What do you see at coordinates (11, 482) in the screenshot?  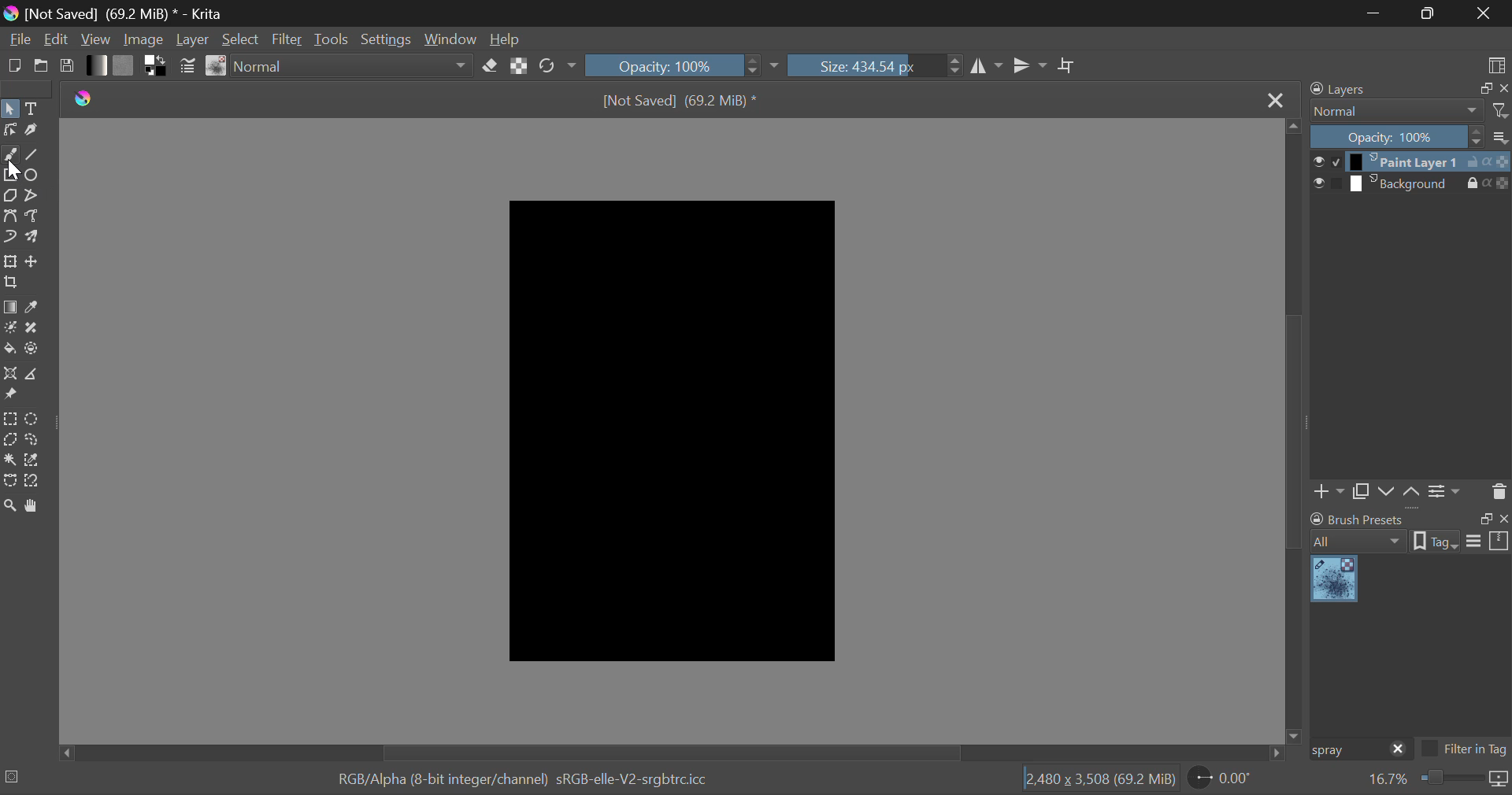 I see `Bezier Curve Selection` at bounding box center [11, 482].